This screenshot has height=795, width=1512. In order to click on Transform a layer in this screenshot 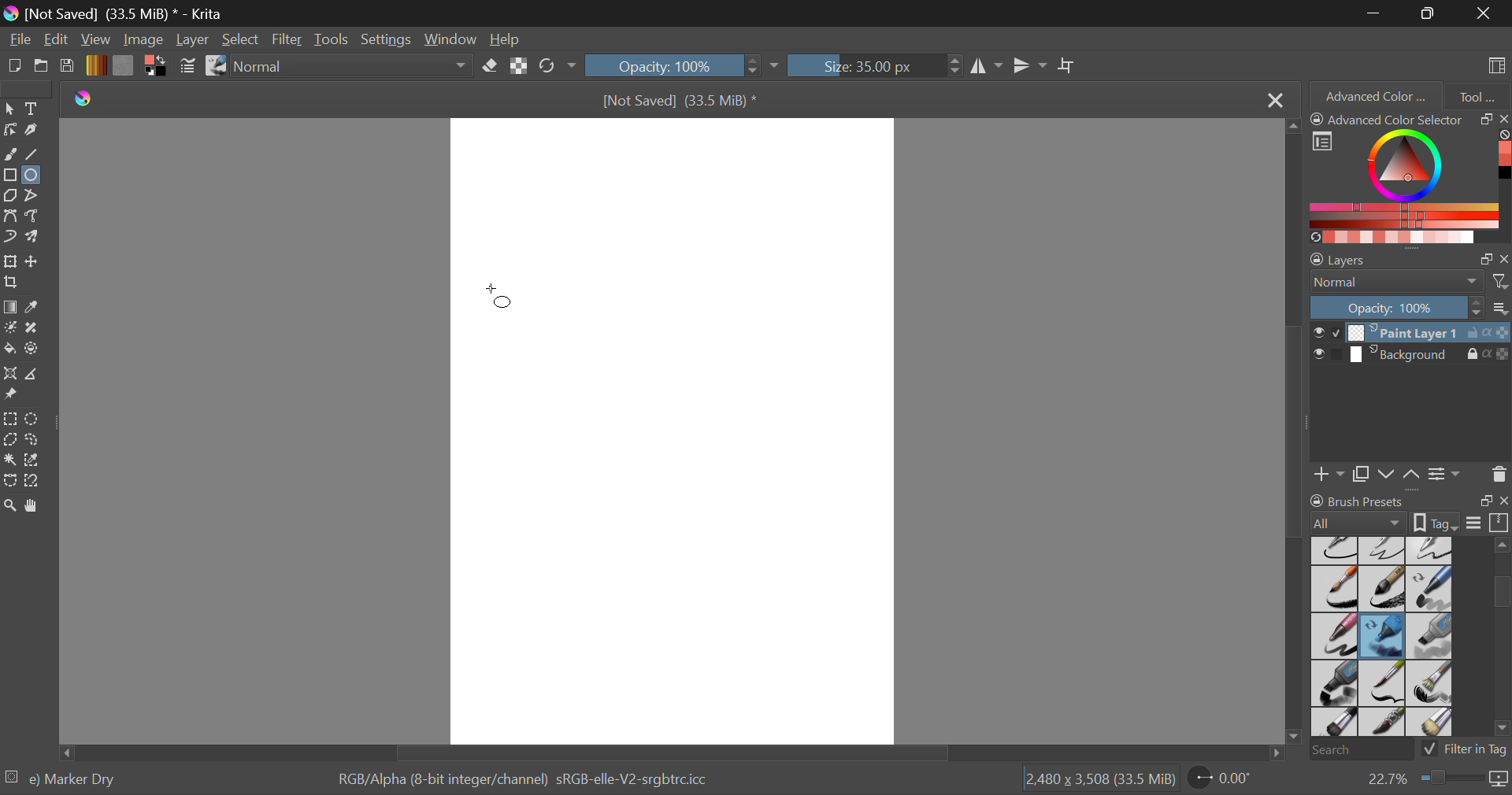, I will do `click(9, 261)`.